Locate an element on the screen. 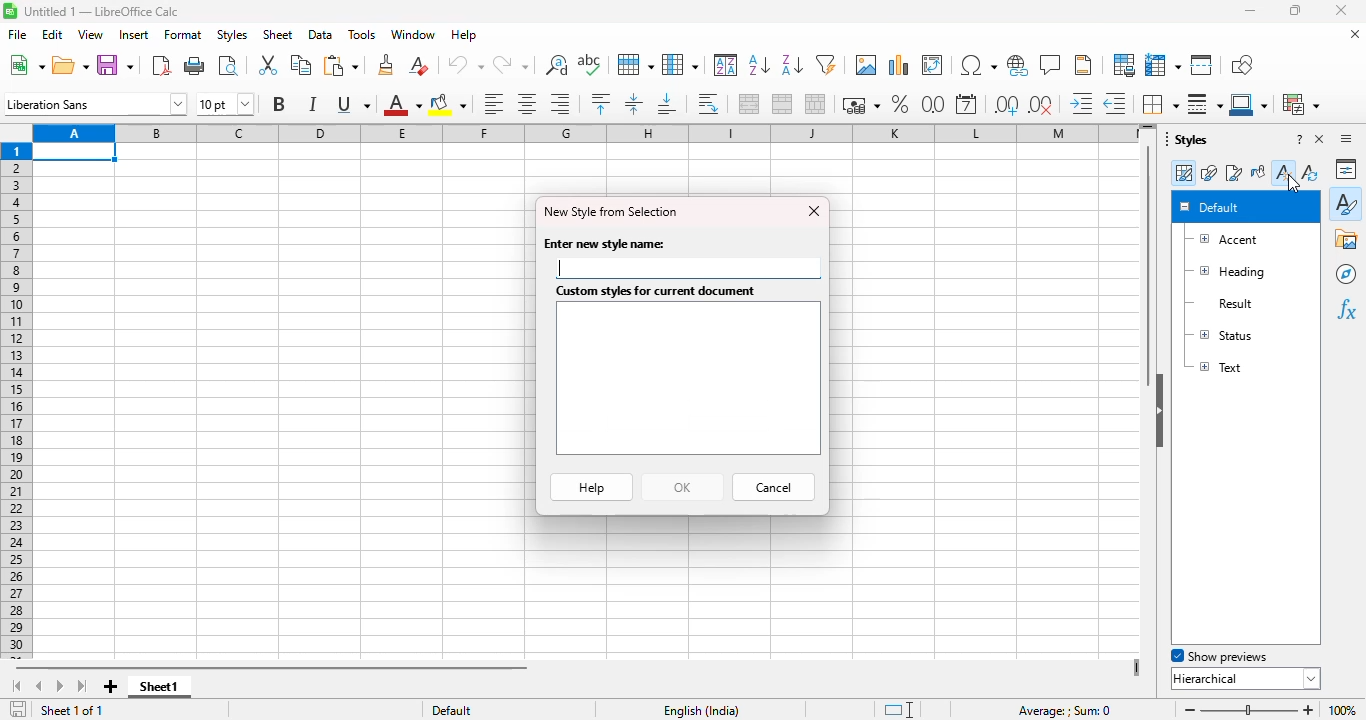 The width and height of the screenshot is (1366, 720). insert image is located at coordinates (867, 65).